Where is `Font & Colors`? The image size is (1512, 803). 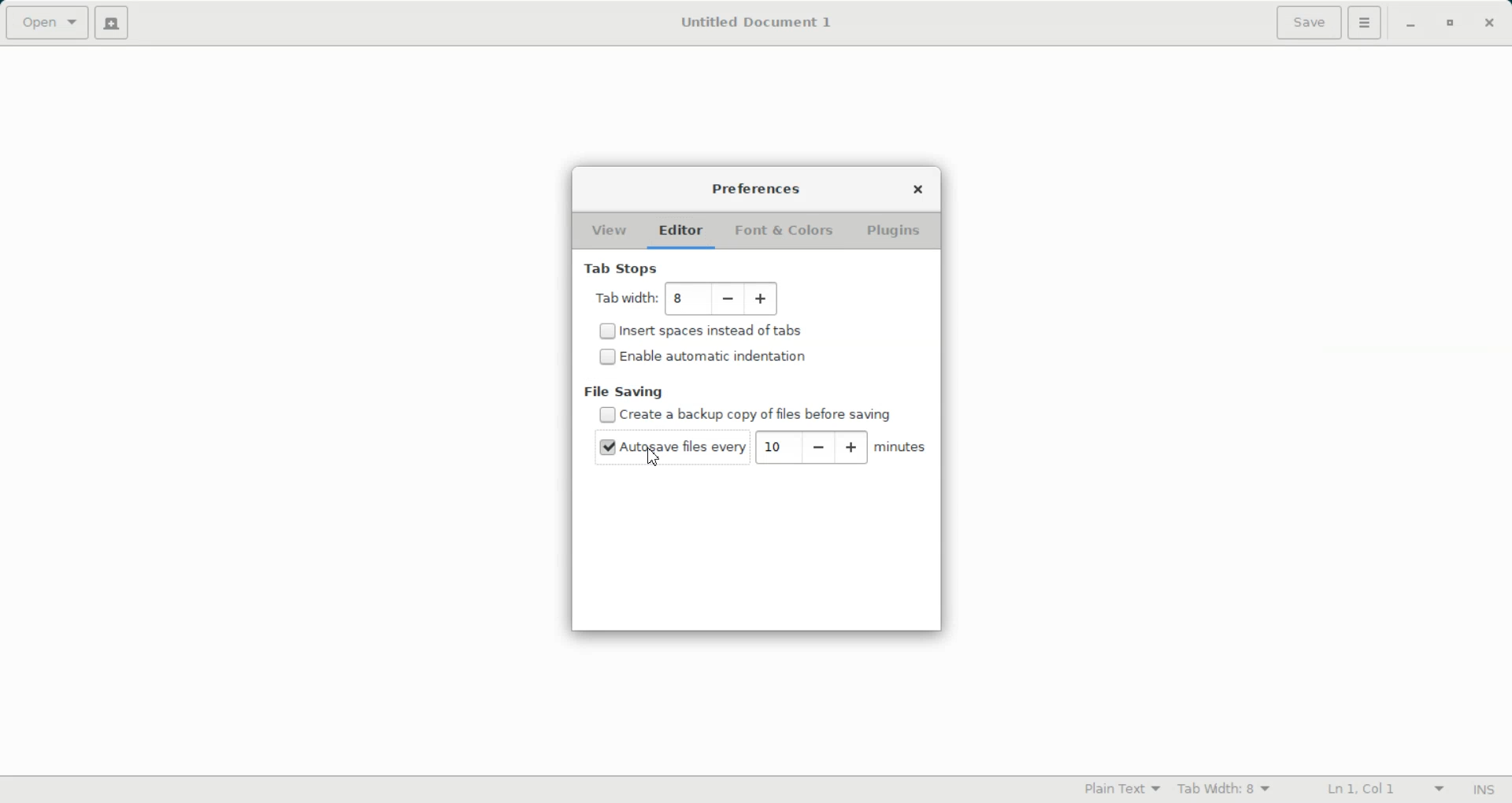
Font & Colors is located at coordinates (784, 233).